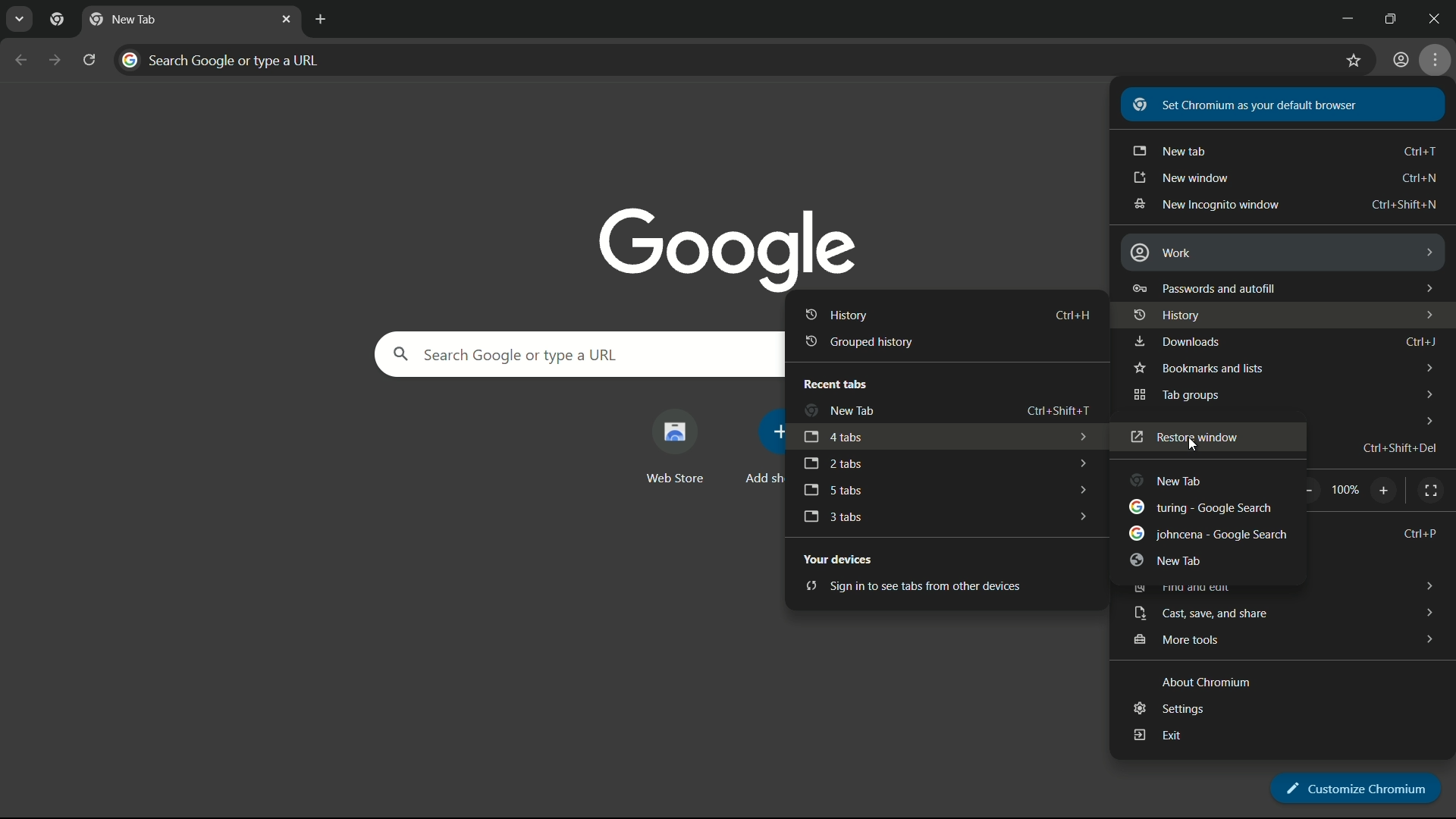 Image resolution: width=1456 pixels, height=819 pixels. Describe the element at coordinates (1424, 284) in the screenshot. I see `dropdown arrows` at that location.